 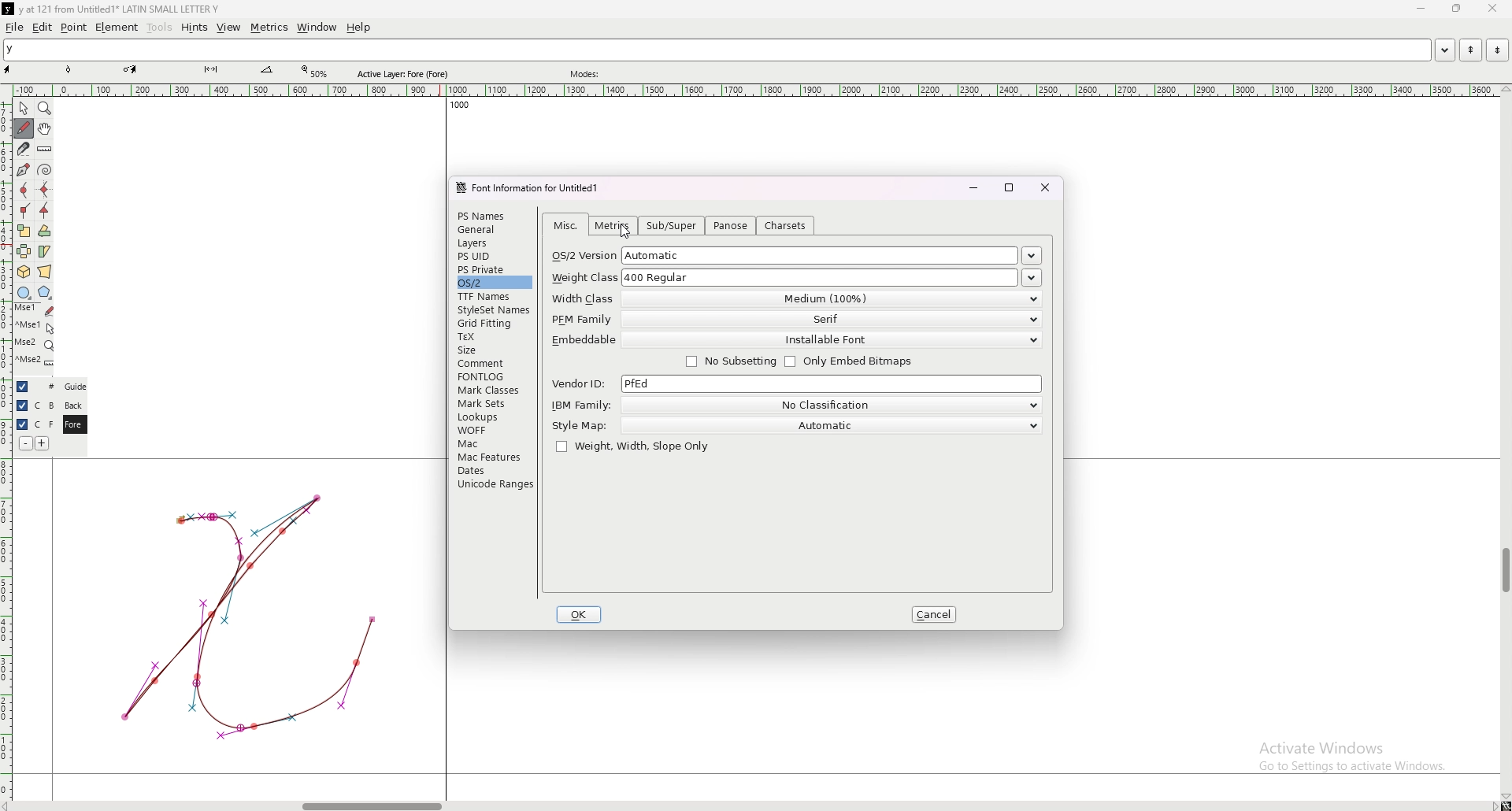 I want to click on edit, so click(x=43, y=28).